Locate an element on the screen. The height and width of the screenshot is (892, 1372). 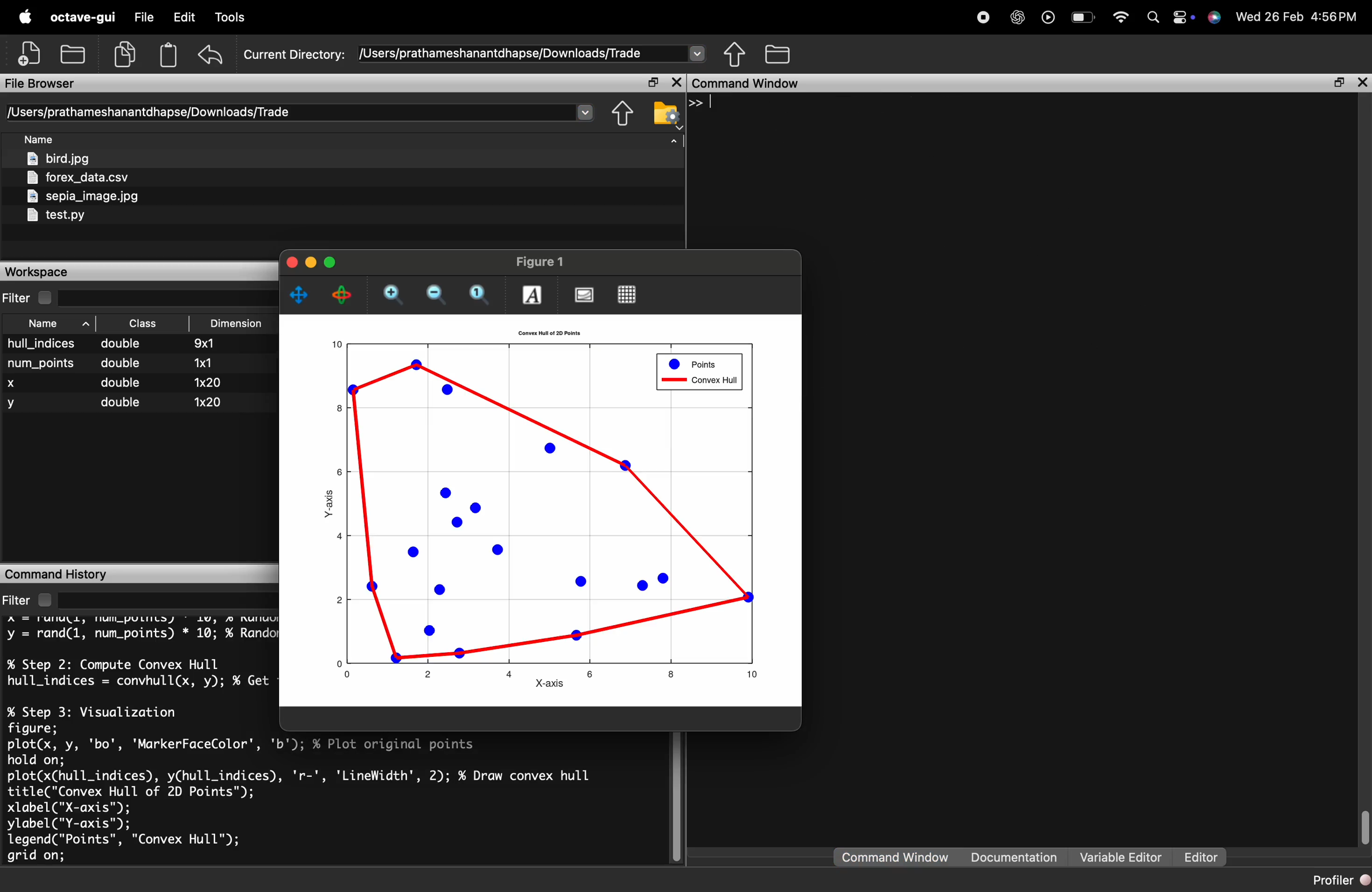
minimise is located at coordinates (311, 262).